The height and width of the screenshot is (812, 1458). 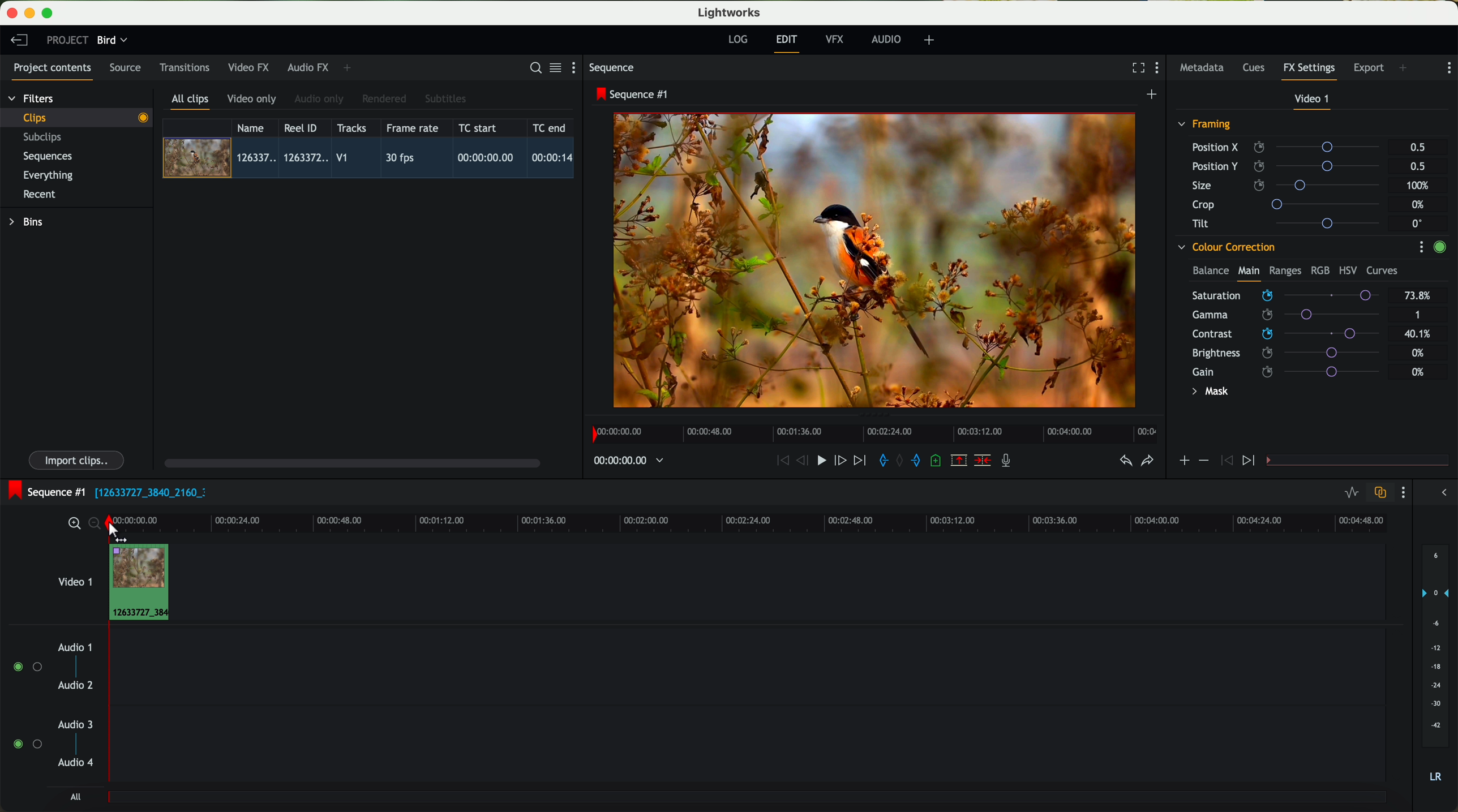 What do you see at coordinates (1440, 493) in the screenshot?
I see `show/hide the full audio mix` at bounding box center [1440, 493].